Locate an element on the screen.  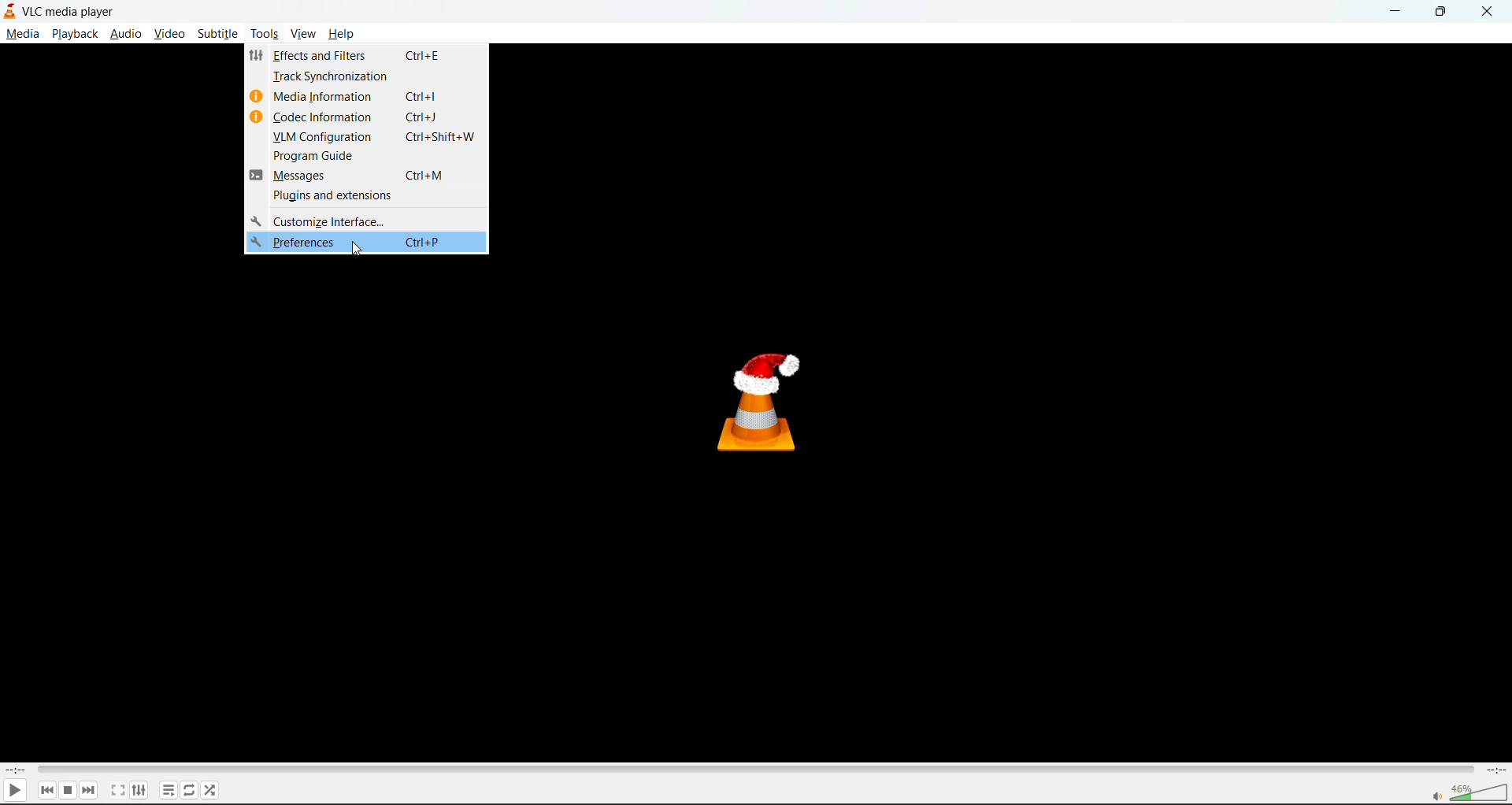
volume is located at coordinates (1466, 792).